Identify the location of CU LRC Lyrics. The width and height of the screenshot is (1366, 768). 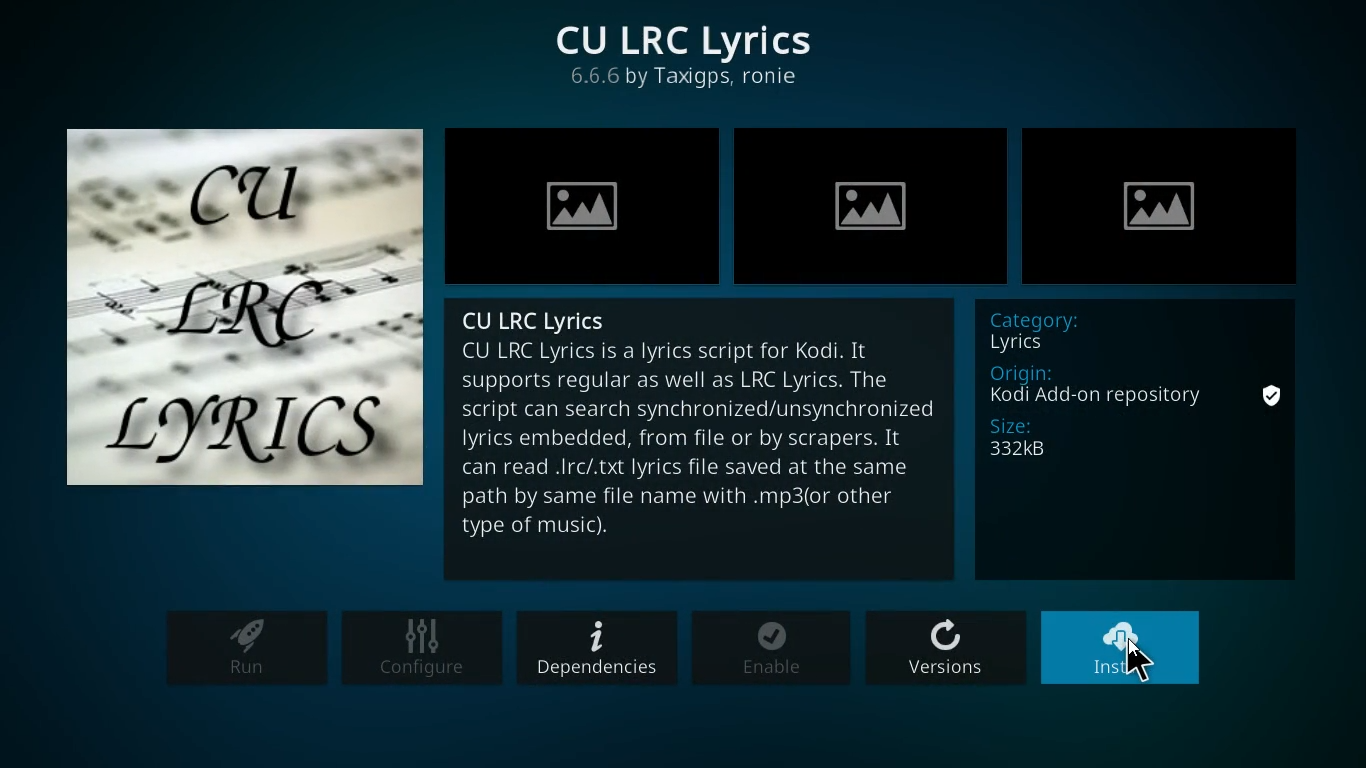
(695, 37).